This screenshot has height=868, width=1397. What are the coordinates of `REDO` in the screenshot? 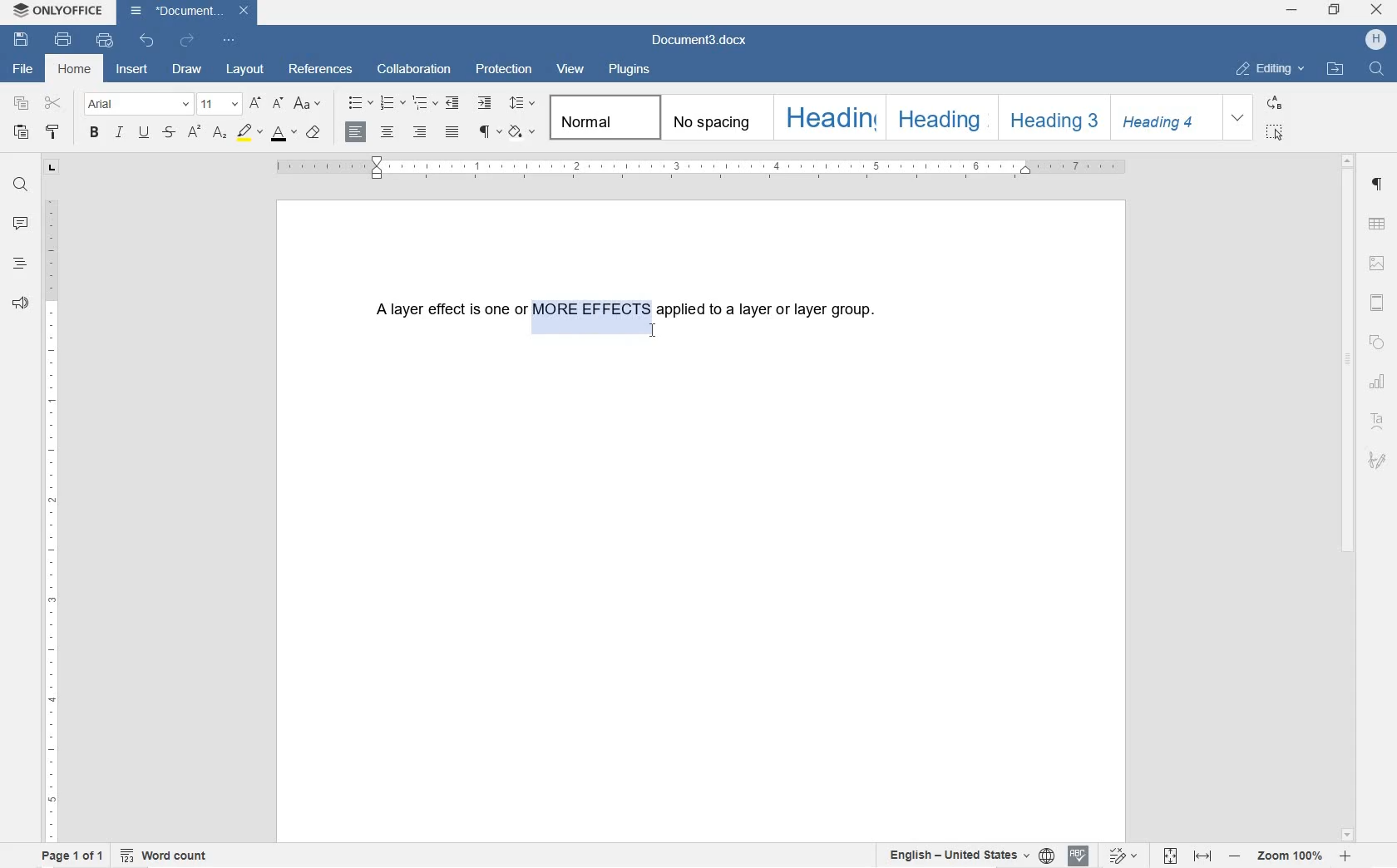 It's located at (187, 40).